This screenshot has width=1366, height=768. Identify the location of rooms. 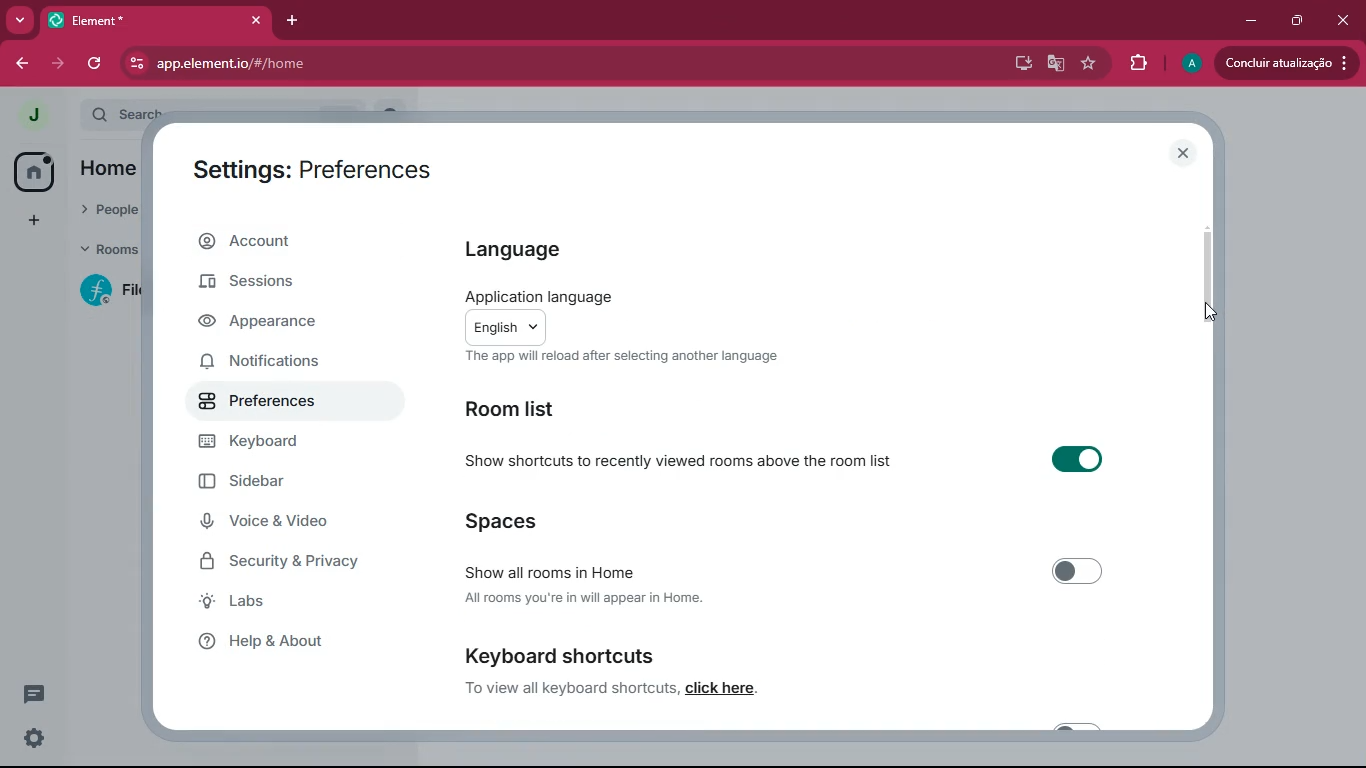
(109, 247).